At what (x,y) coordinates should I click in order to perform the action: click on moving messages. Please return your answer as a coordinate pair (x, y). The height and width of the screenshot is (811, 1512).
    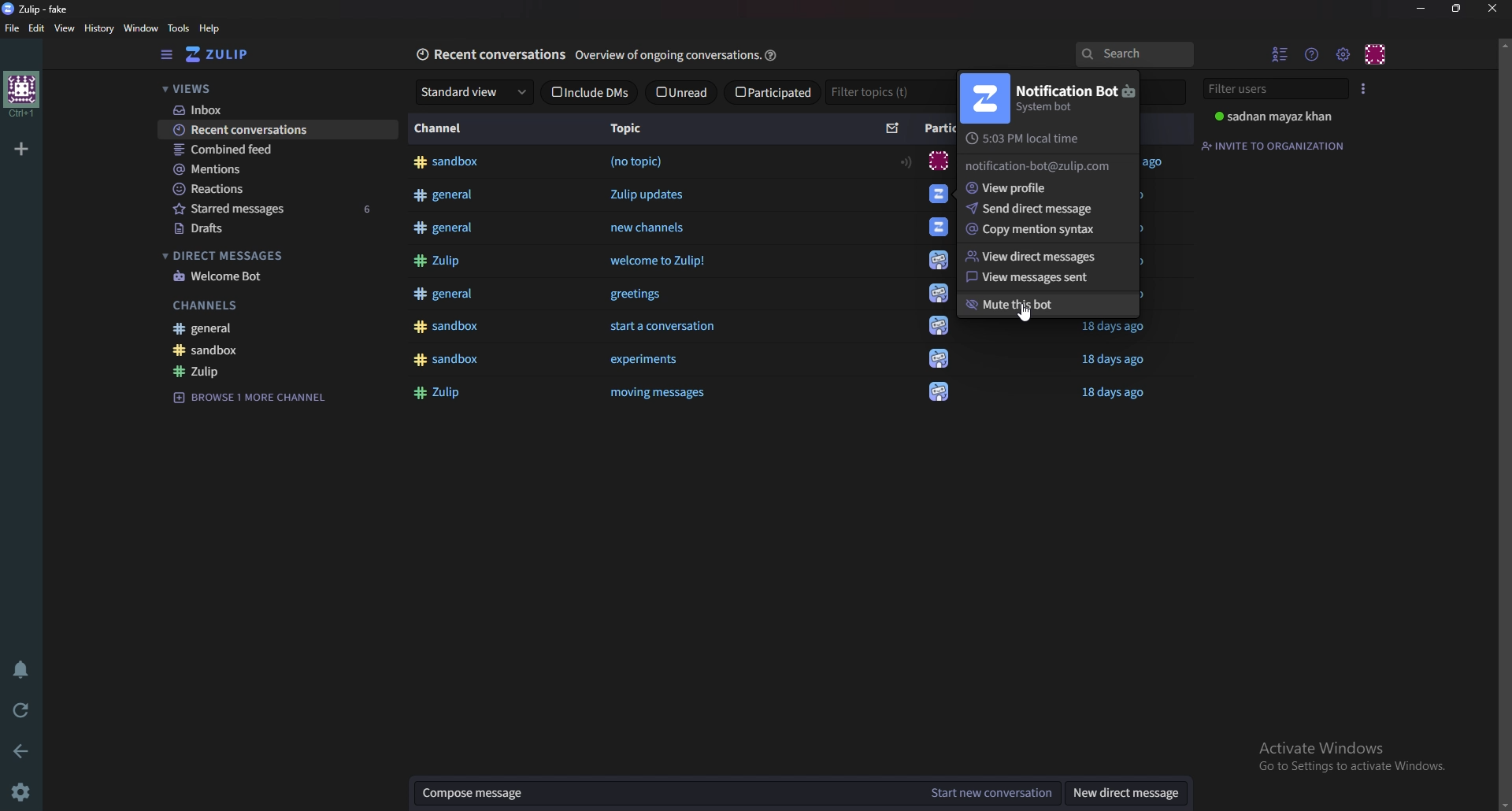
    Looking at the image, I should click on (673, 393).